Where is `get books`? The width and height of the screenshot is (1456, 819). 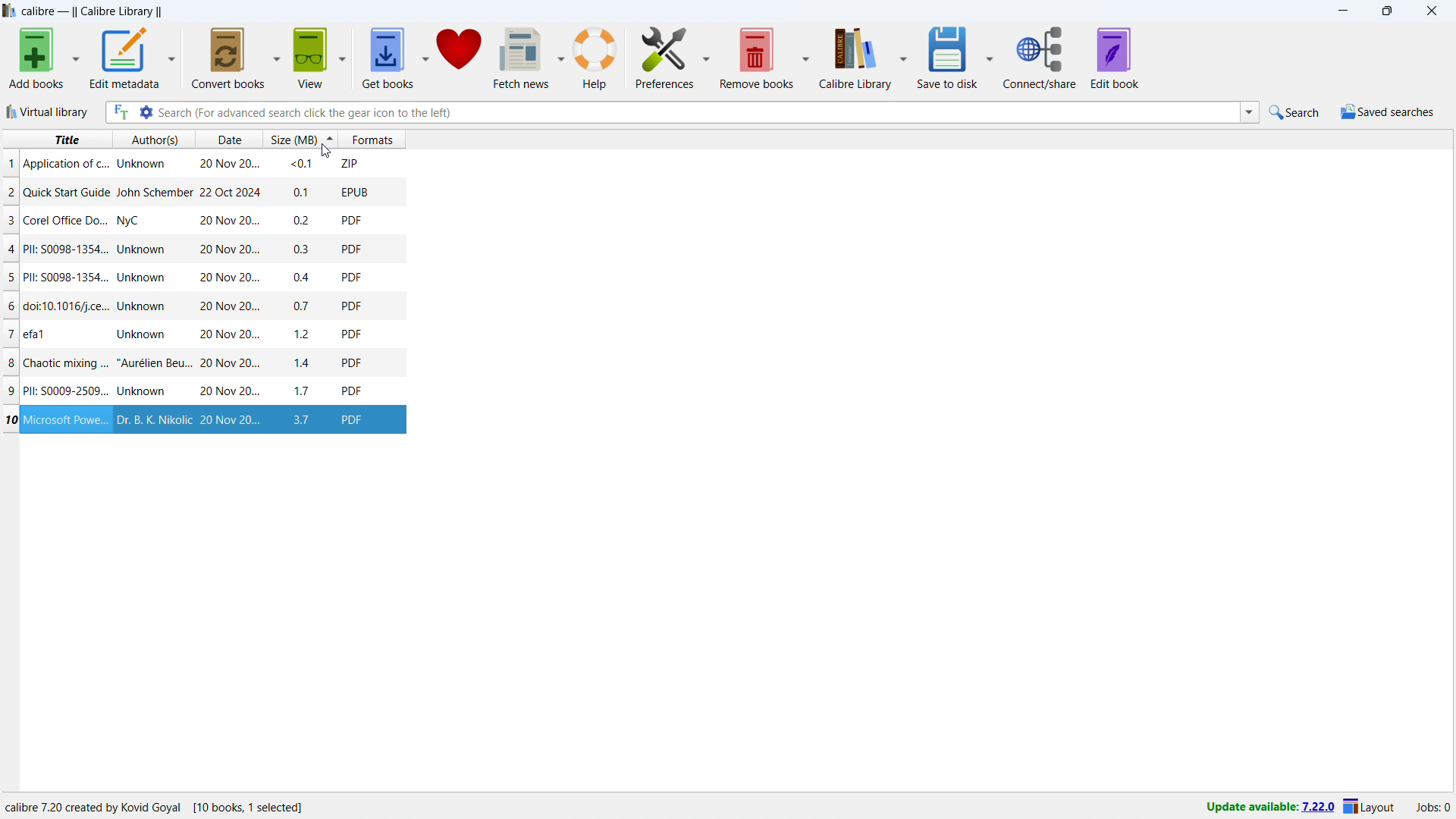
get books is located at coordinates (388, 57).